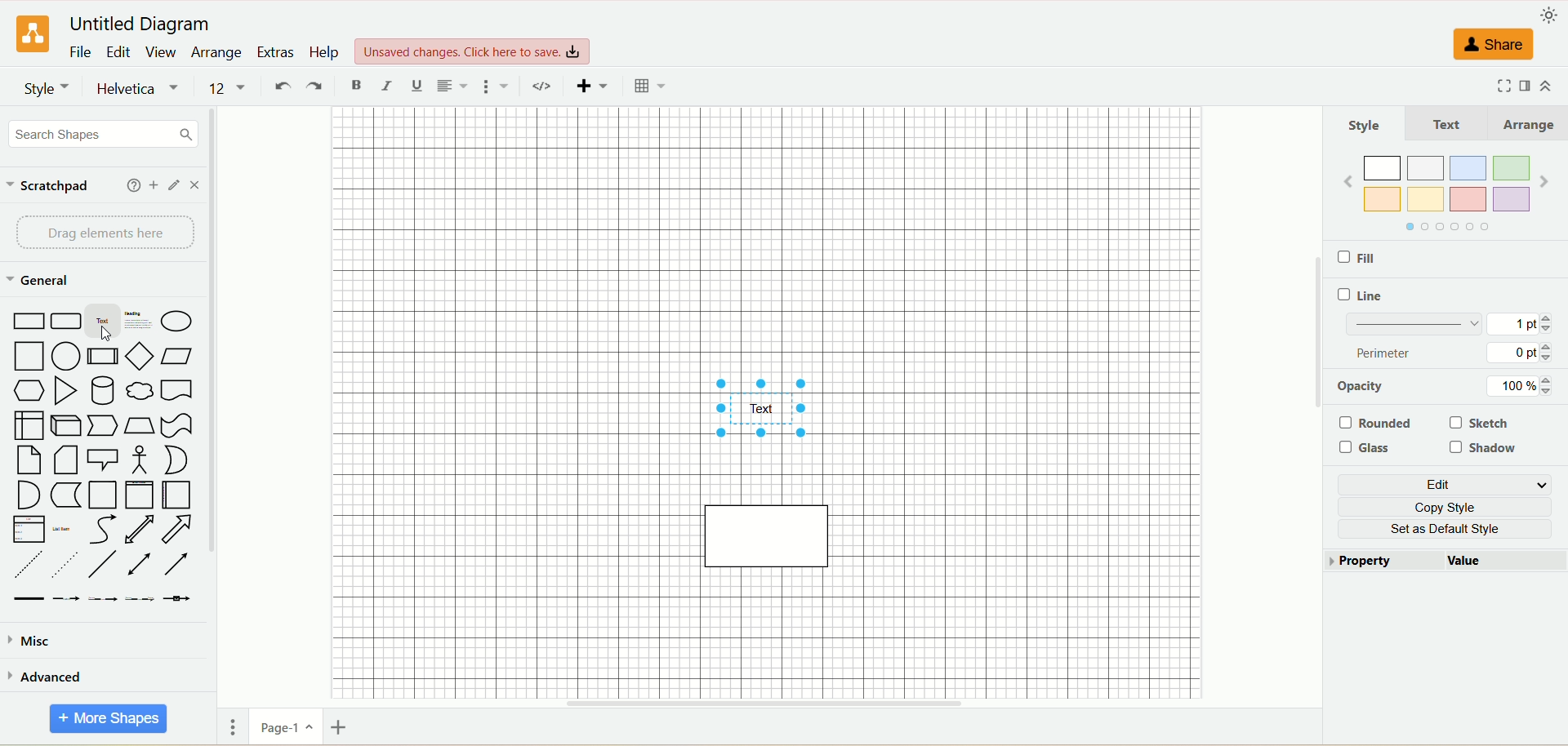  Describe the element at coordinates (66, 597) in the screenshot. I see `connector 2` at that location.